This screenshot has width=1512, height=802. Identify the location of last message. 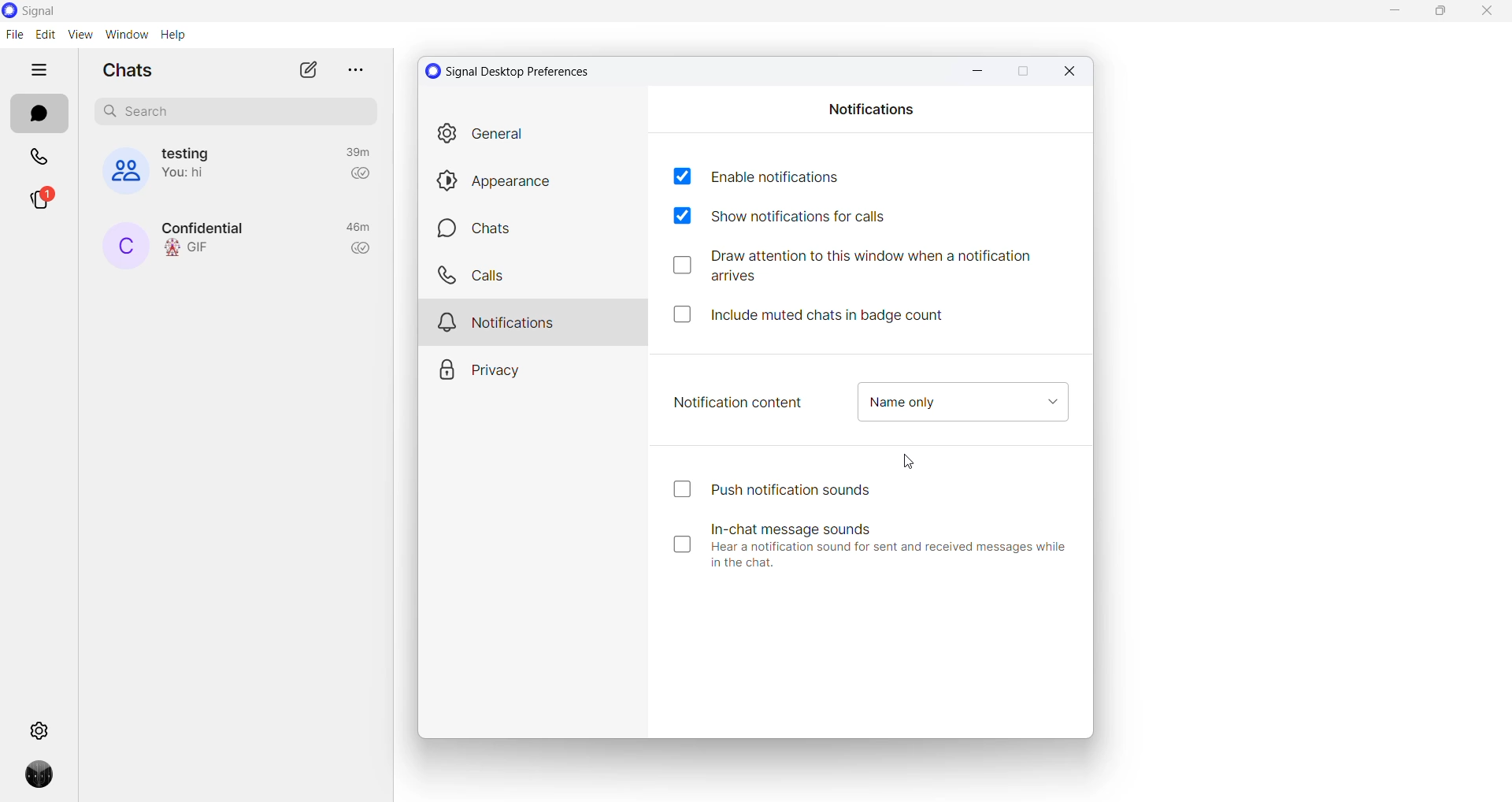
(192, 249).